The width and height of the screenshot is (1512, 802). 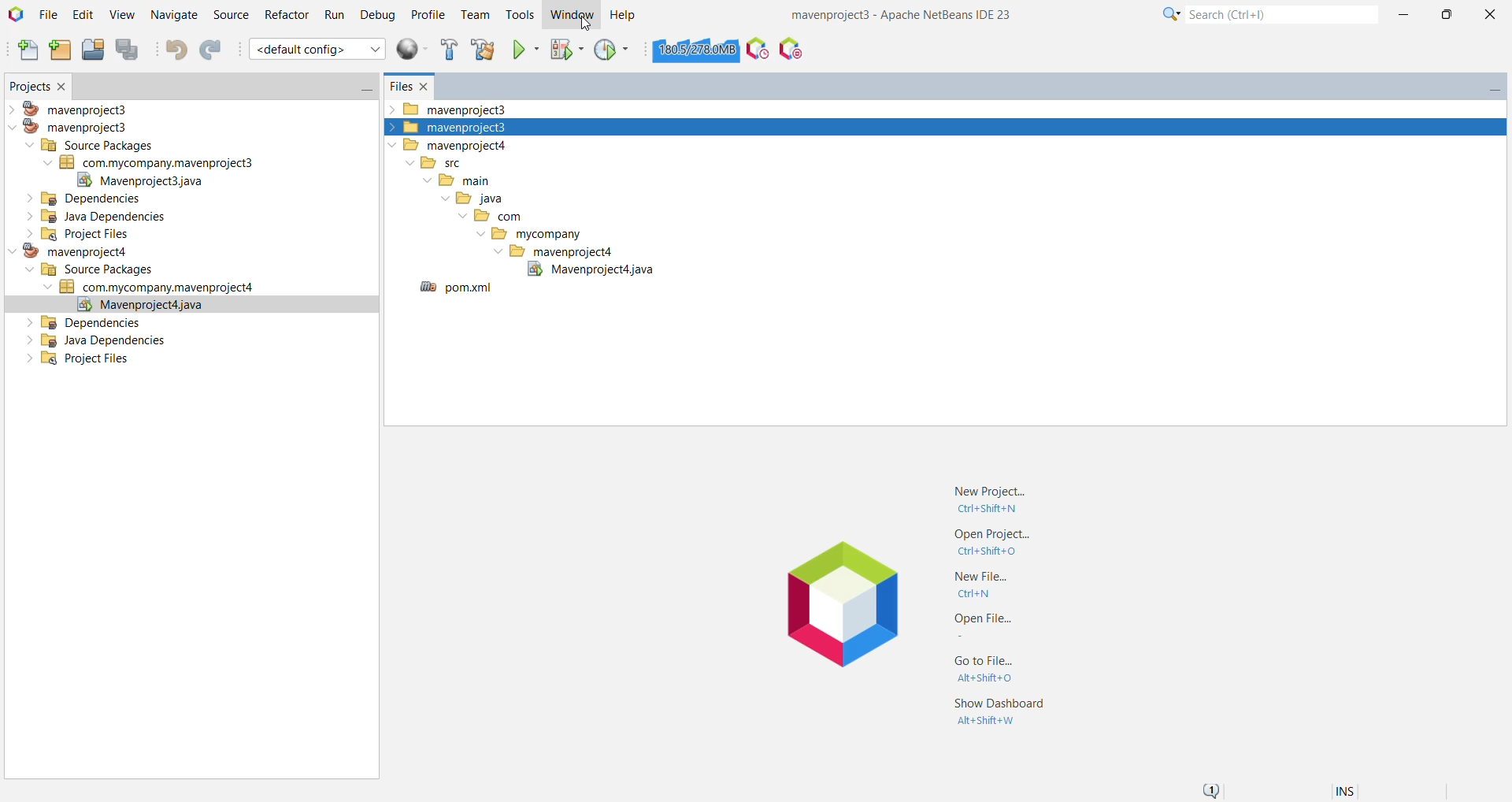 I want to click on java, so click(x=472, y=199).